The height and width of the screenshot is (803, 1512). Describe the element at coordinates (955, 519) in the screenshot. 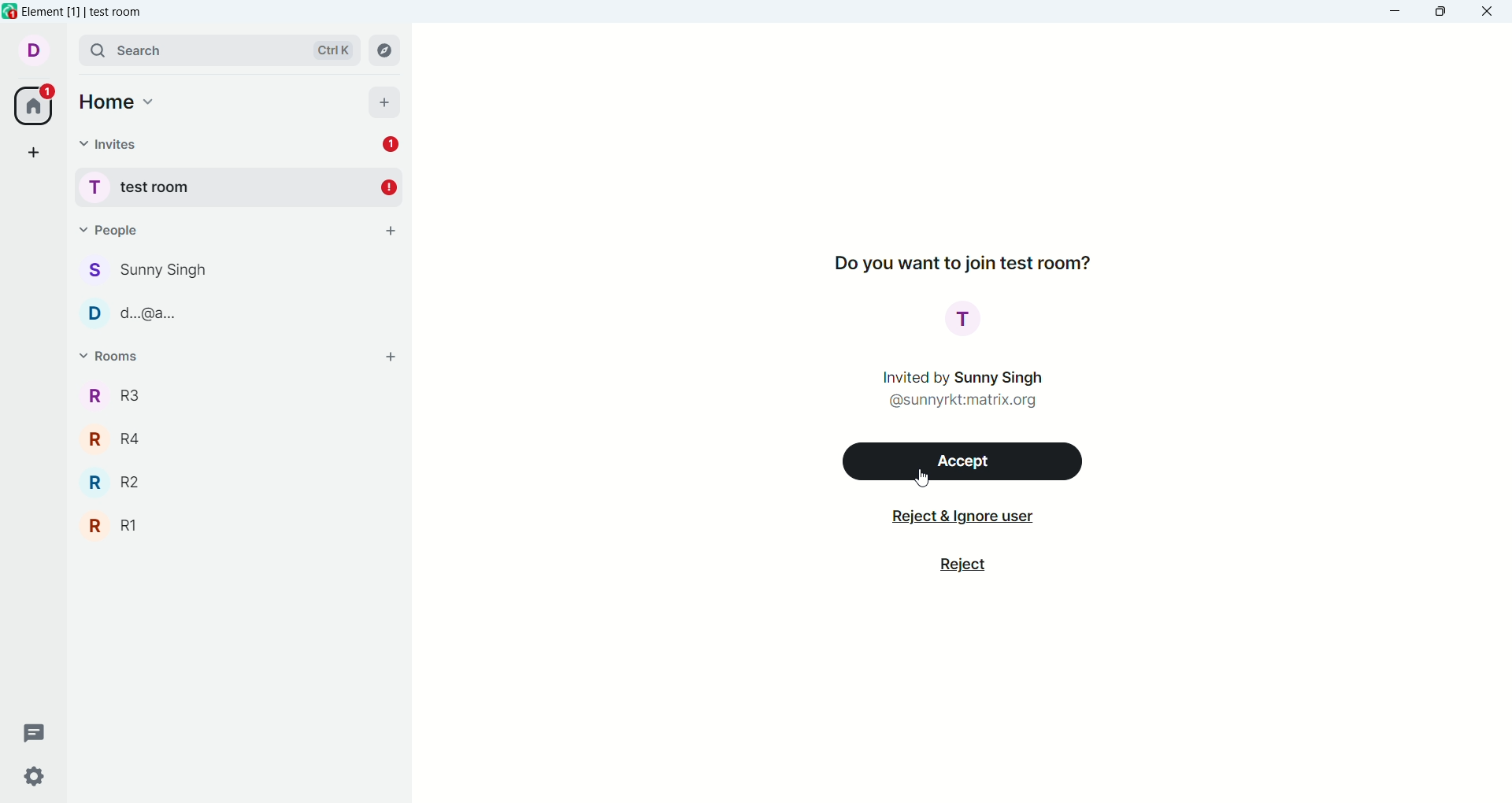

I see `reject & ignore` at that location.